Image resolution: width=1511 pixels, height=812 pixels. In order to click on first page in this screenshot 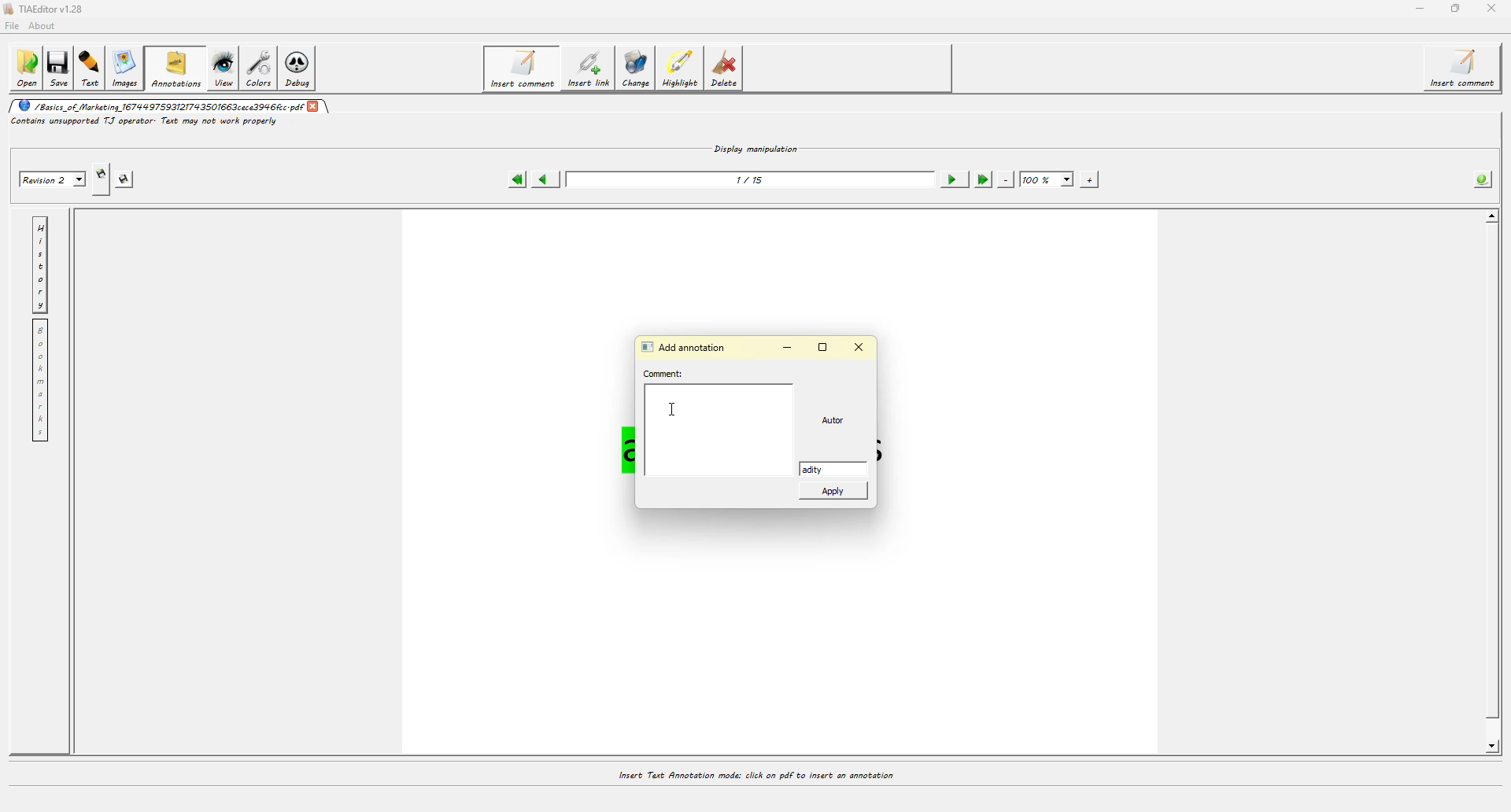, I will do `click(516, 179)`.